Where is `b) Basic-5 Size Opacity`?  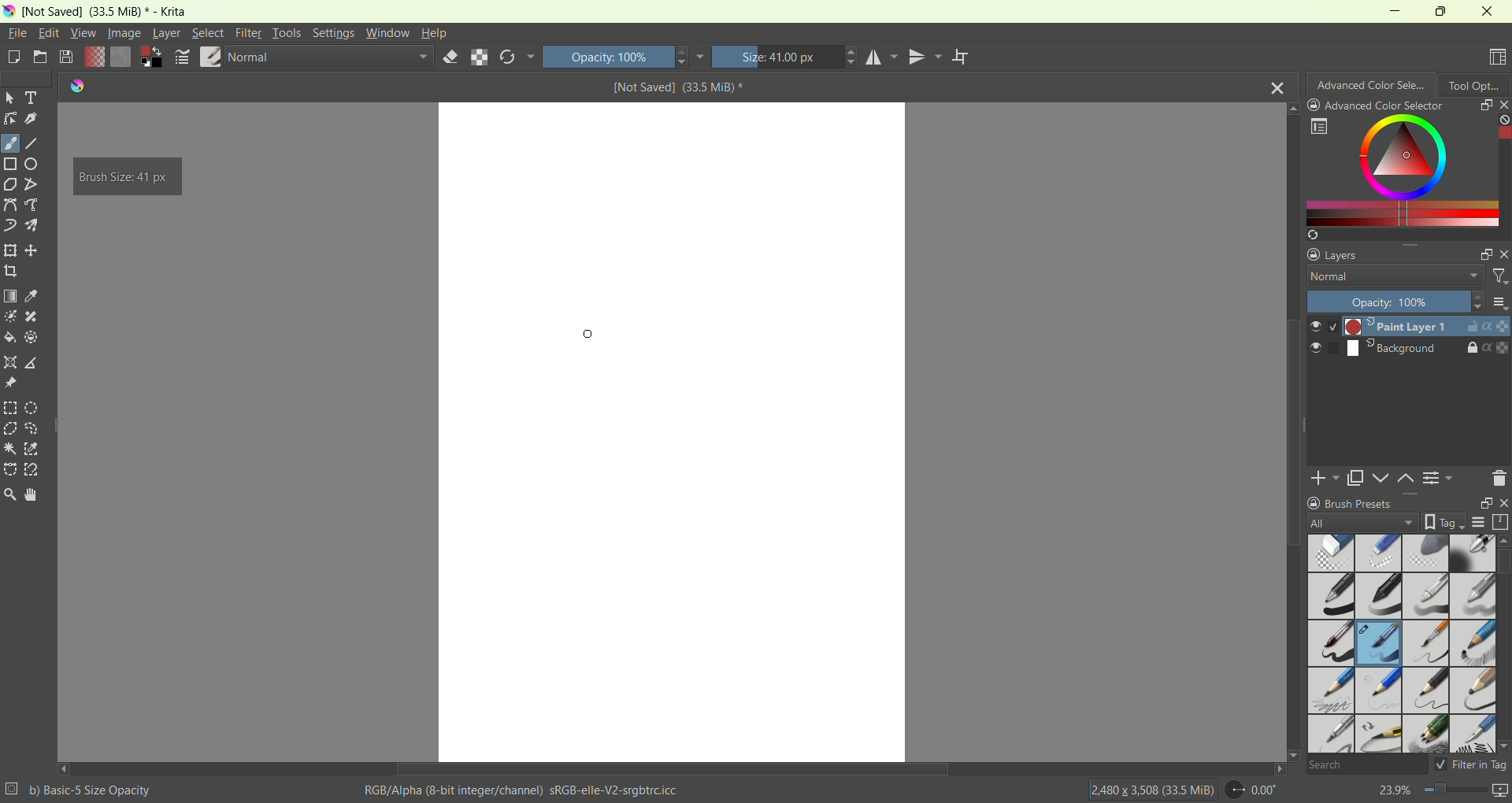 b) Basic-5 Size Opacity is located at coordinates (81, 789).